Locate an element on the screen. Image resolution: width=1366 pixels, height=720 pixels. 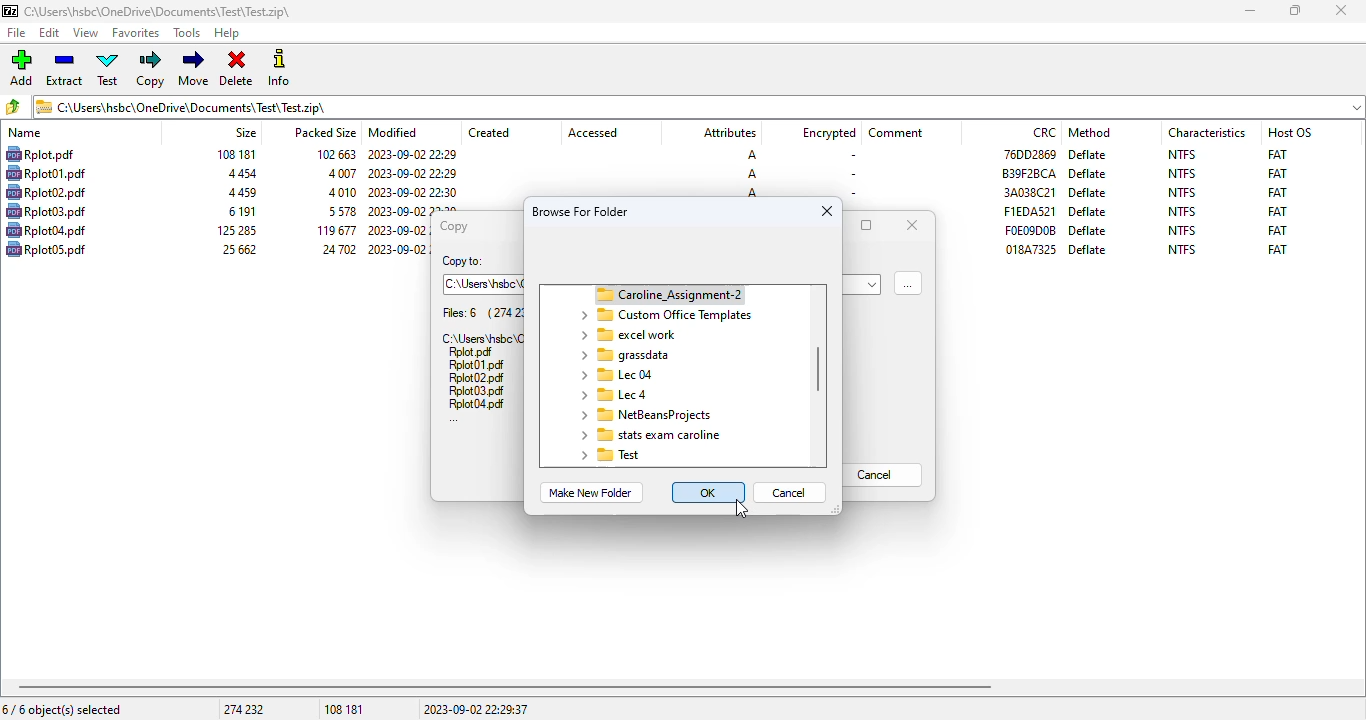
delete is located at coordinates (236, 69).